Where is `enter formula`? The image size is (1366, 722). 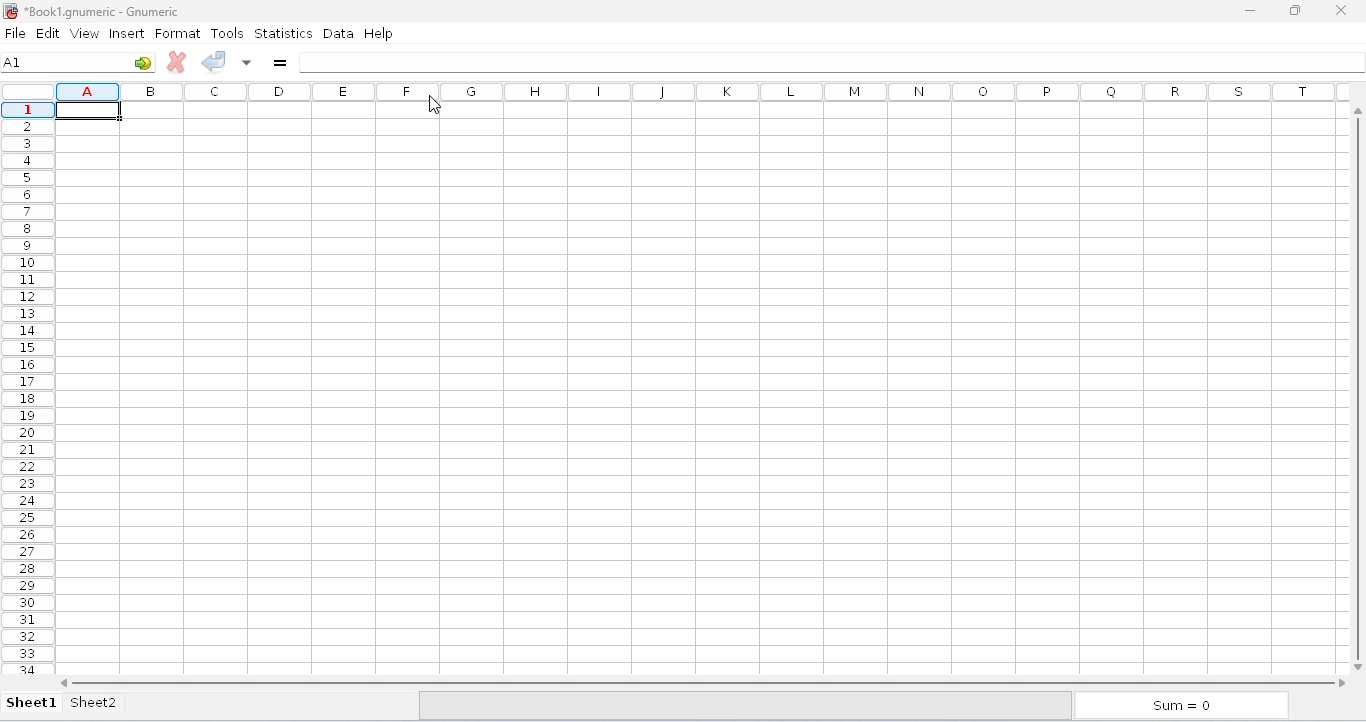 enter formula is located at coordinates (280, 62).